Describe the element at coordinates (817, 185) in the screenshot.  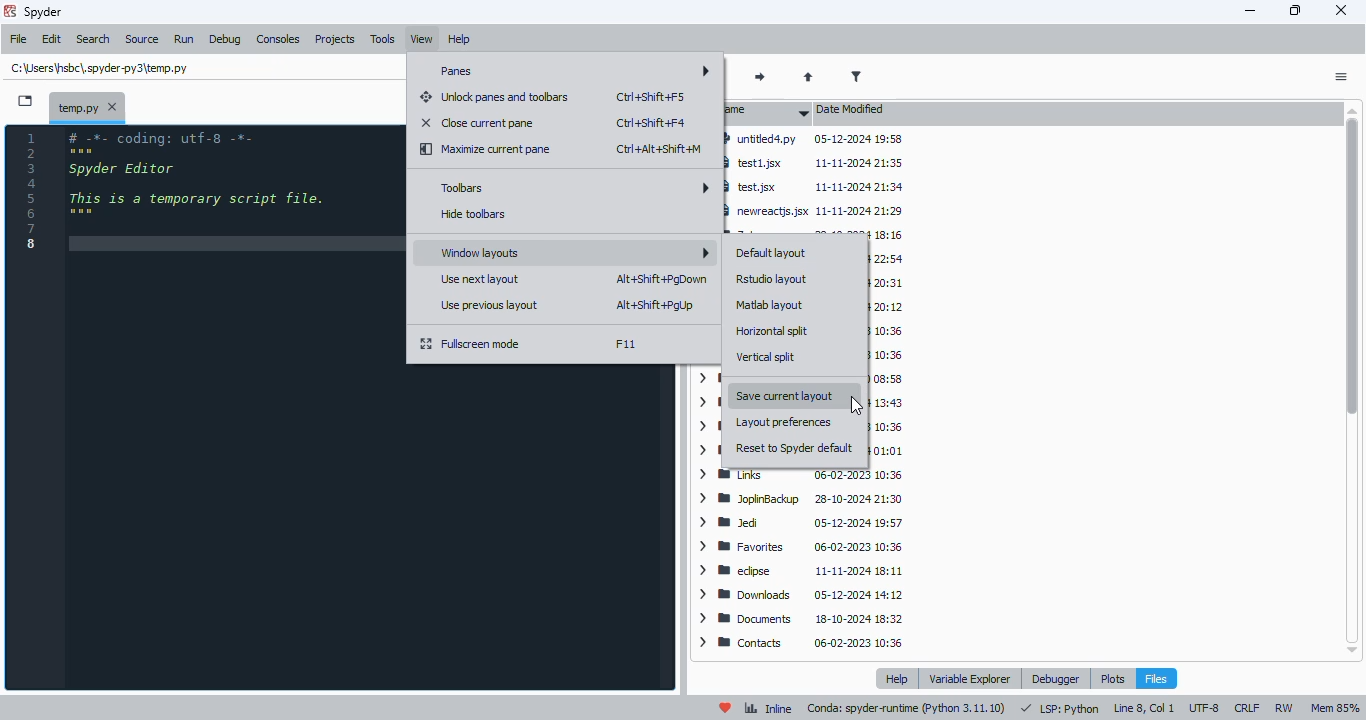
I see `test.jsx` at that location.